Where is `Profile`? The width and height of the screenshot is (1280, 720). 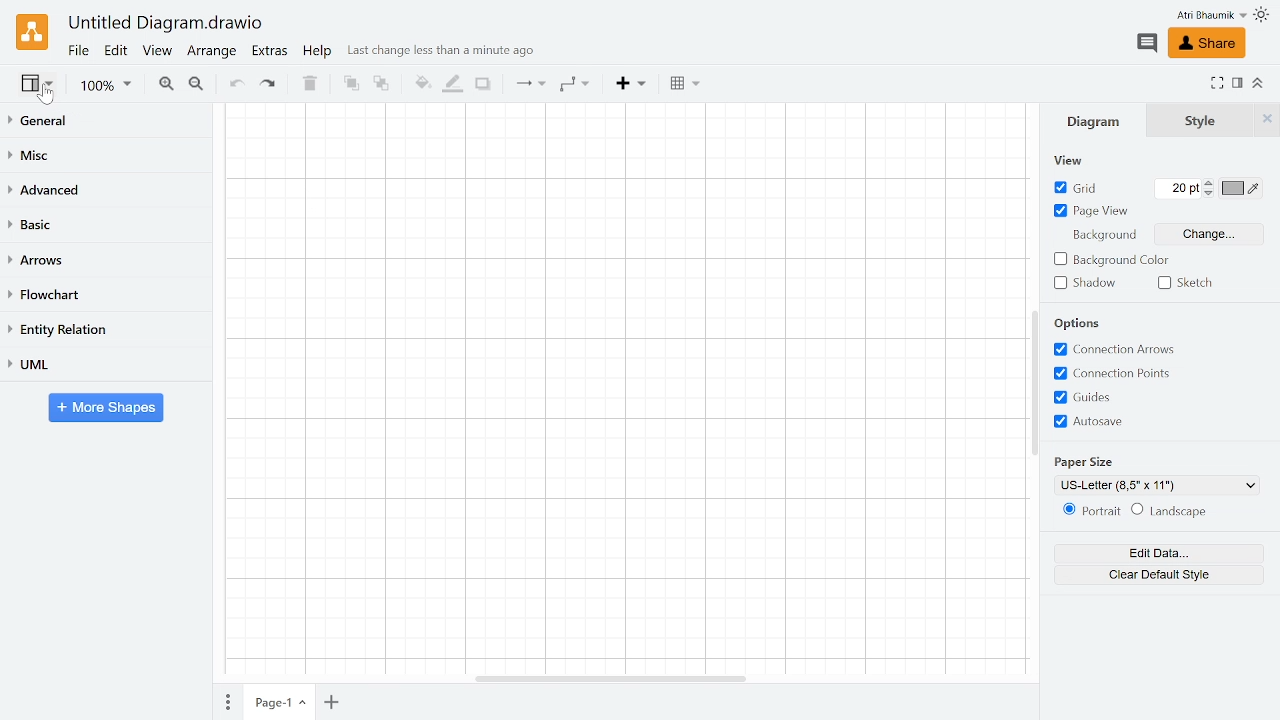
Profile is located at coordinates (1208, 15).